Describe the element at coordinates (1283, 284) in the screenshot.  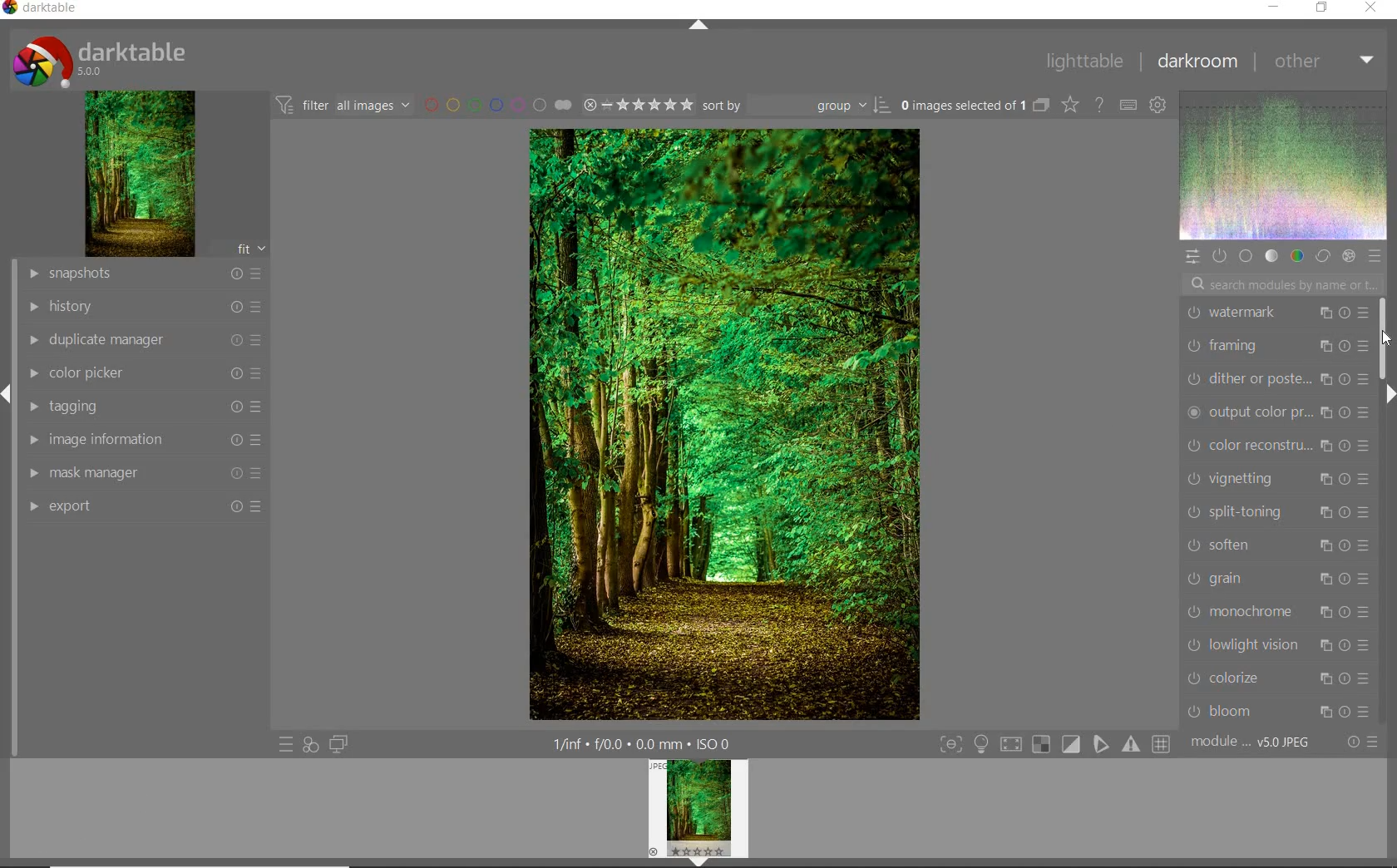
I see `SEARCH MODULES` at that location.